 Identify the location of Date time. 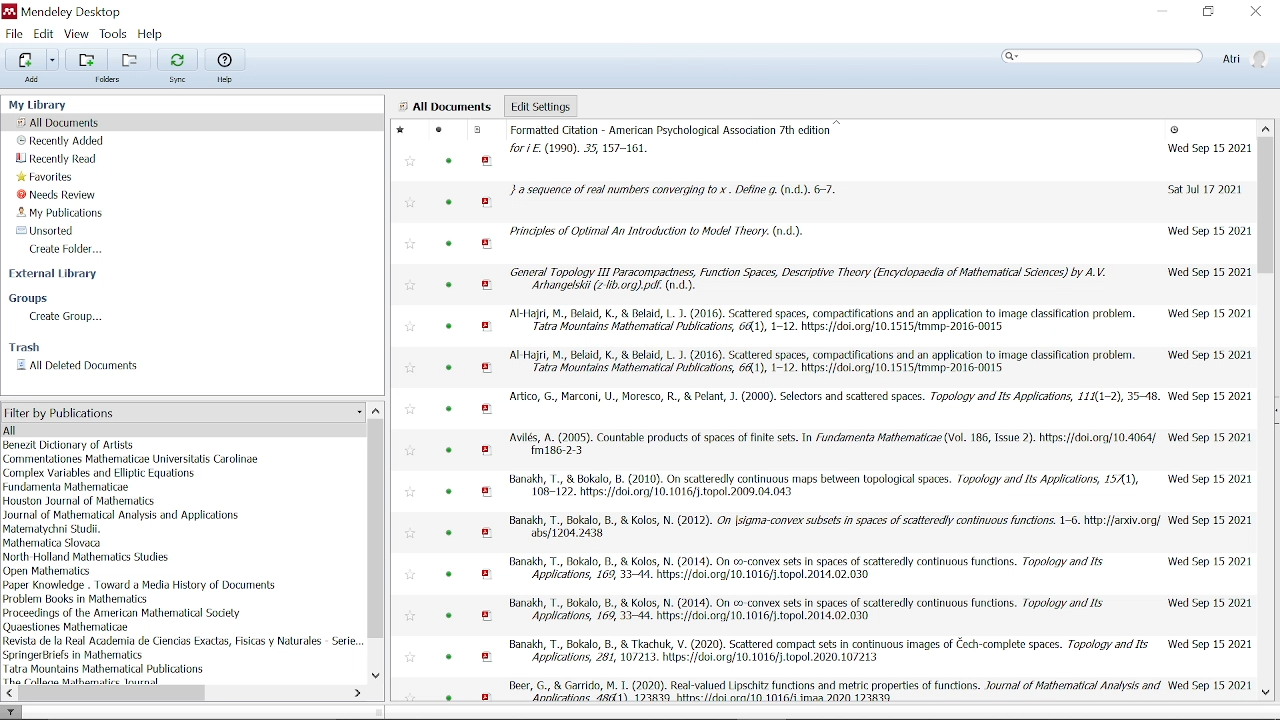
(1207, 271).